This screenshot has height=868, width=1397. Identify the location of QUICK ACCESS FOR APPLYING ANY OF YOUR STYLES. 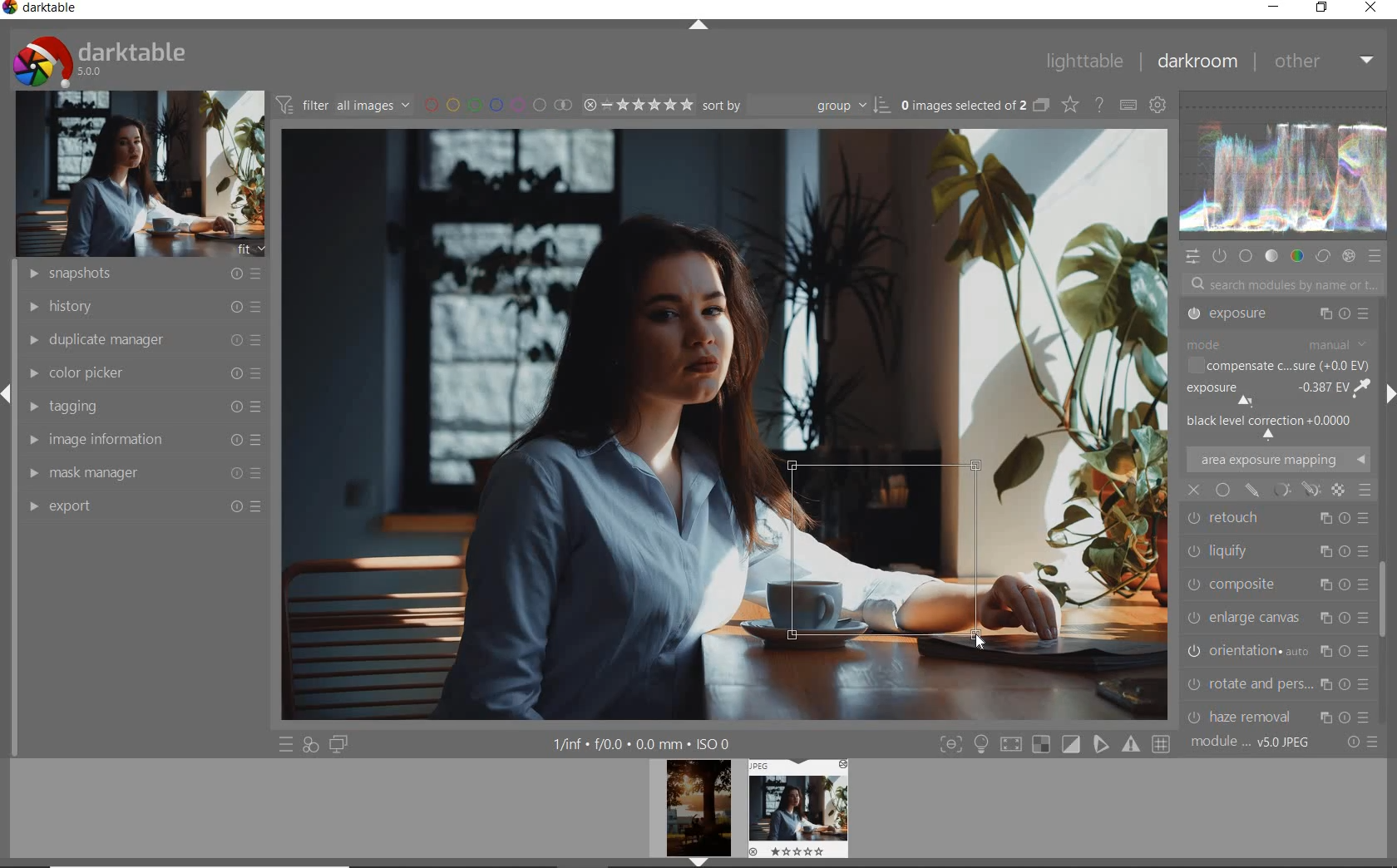
(311, 745).